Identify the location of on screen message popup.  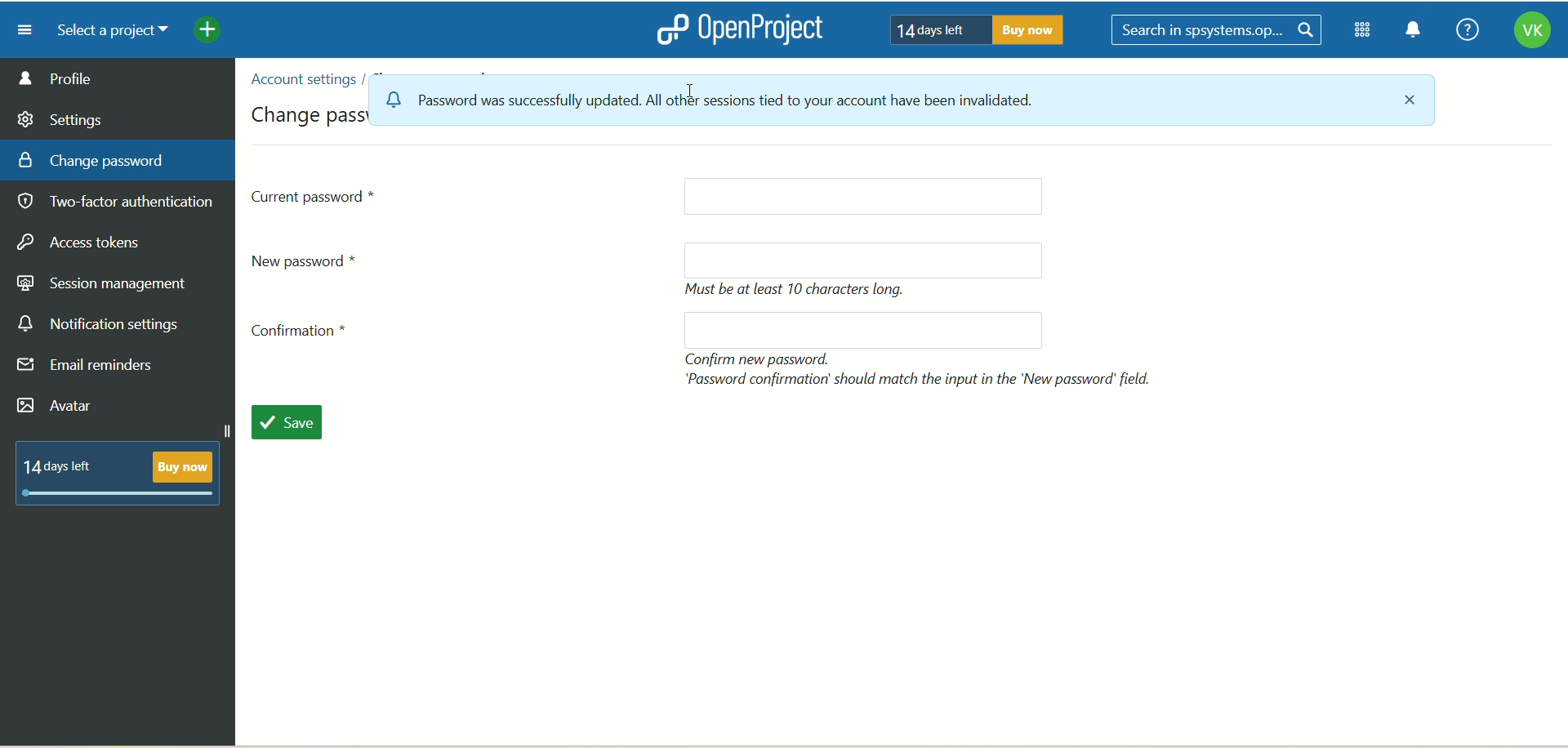
(760, 106).